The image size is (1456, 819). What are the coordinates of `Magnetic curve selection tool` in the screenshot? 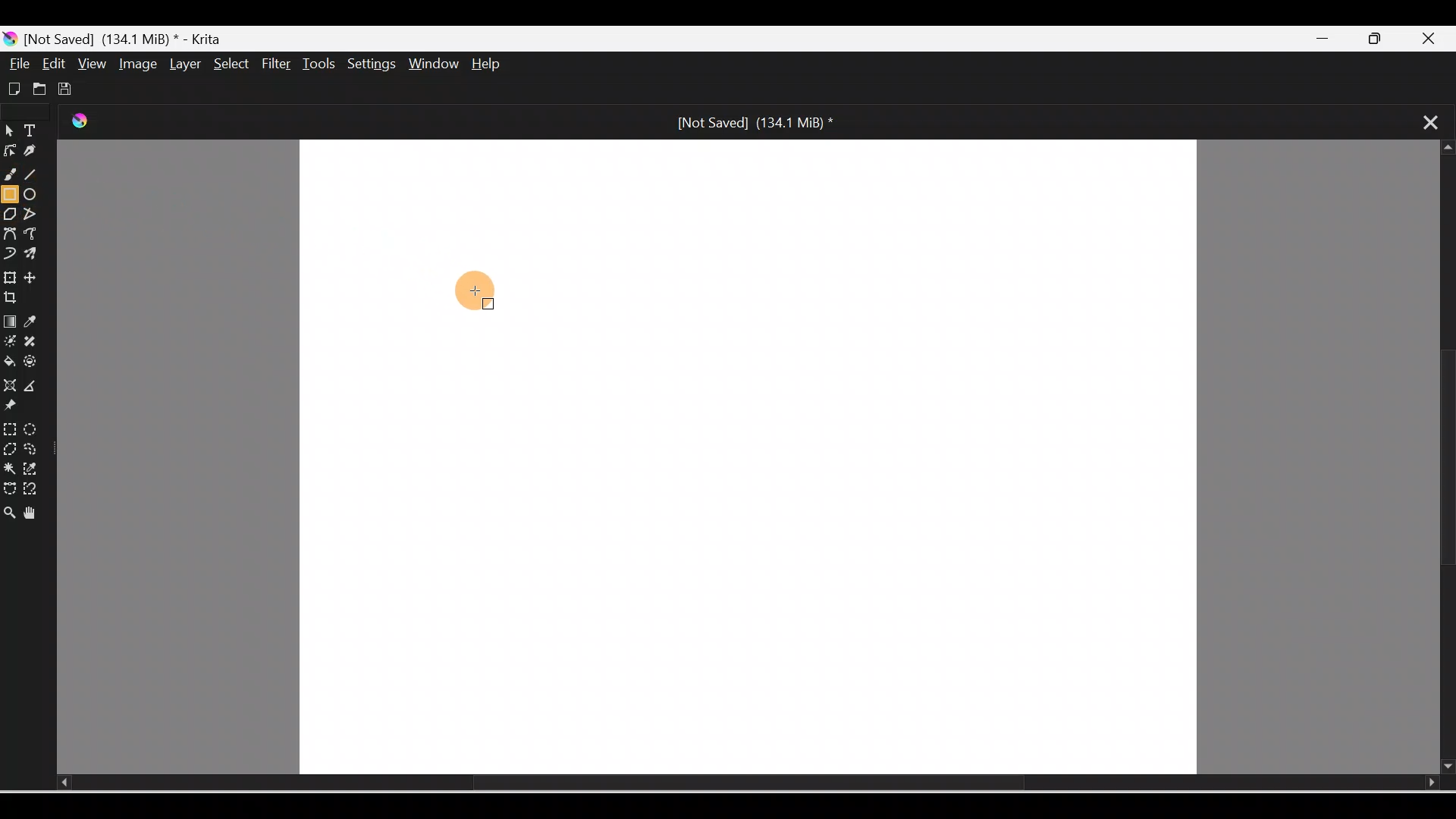 It's located at (35, 490).